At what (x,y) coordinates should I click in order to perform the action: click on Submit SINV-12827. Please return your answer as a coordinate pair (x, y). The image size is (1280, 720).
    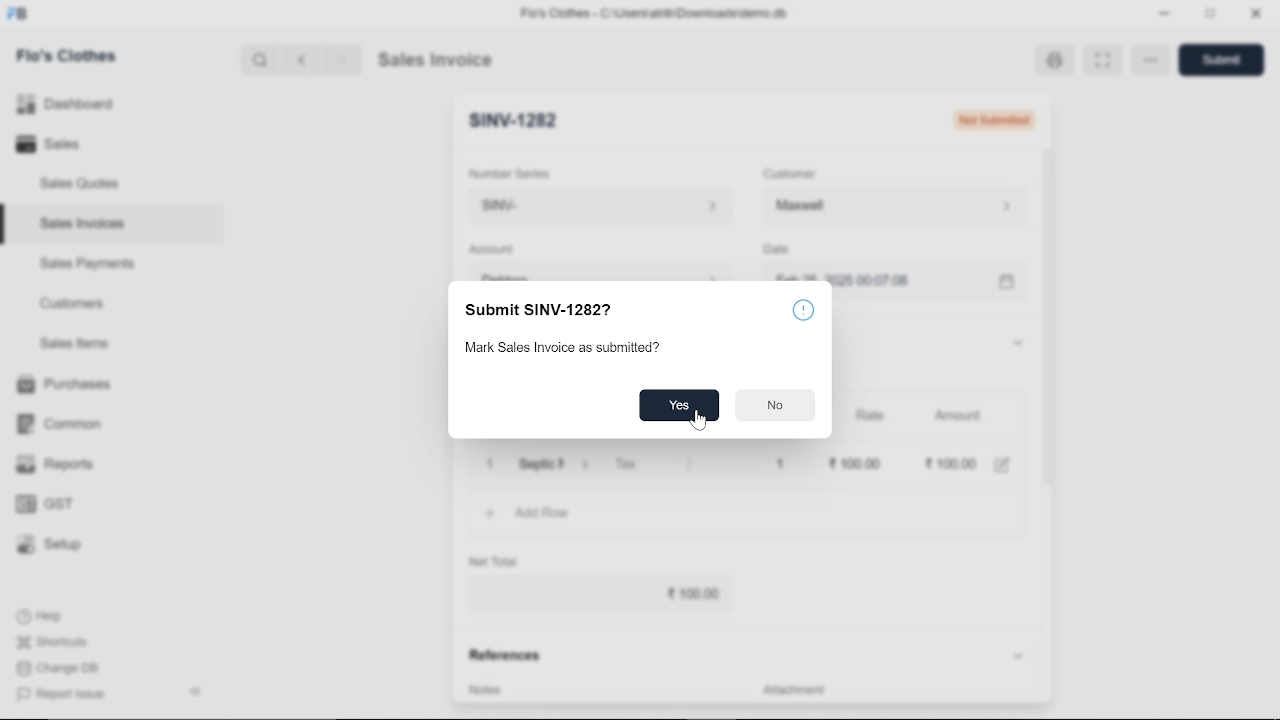
    Looking at the image, I should click on (540, 310).